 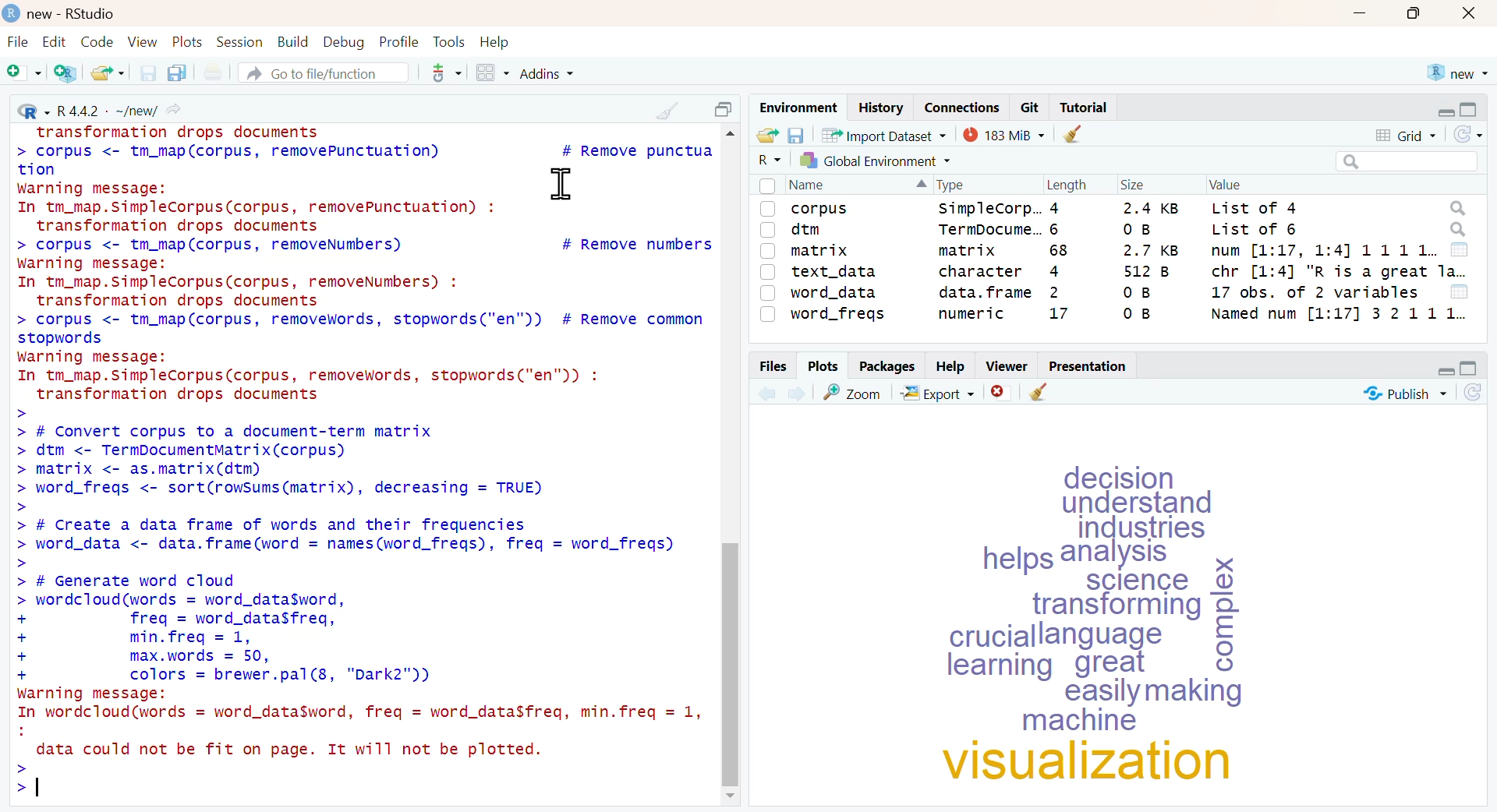 I want to click on transformation drops documents, so click(x=178, y=132).